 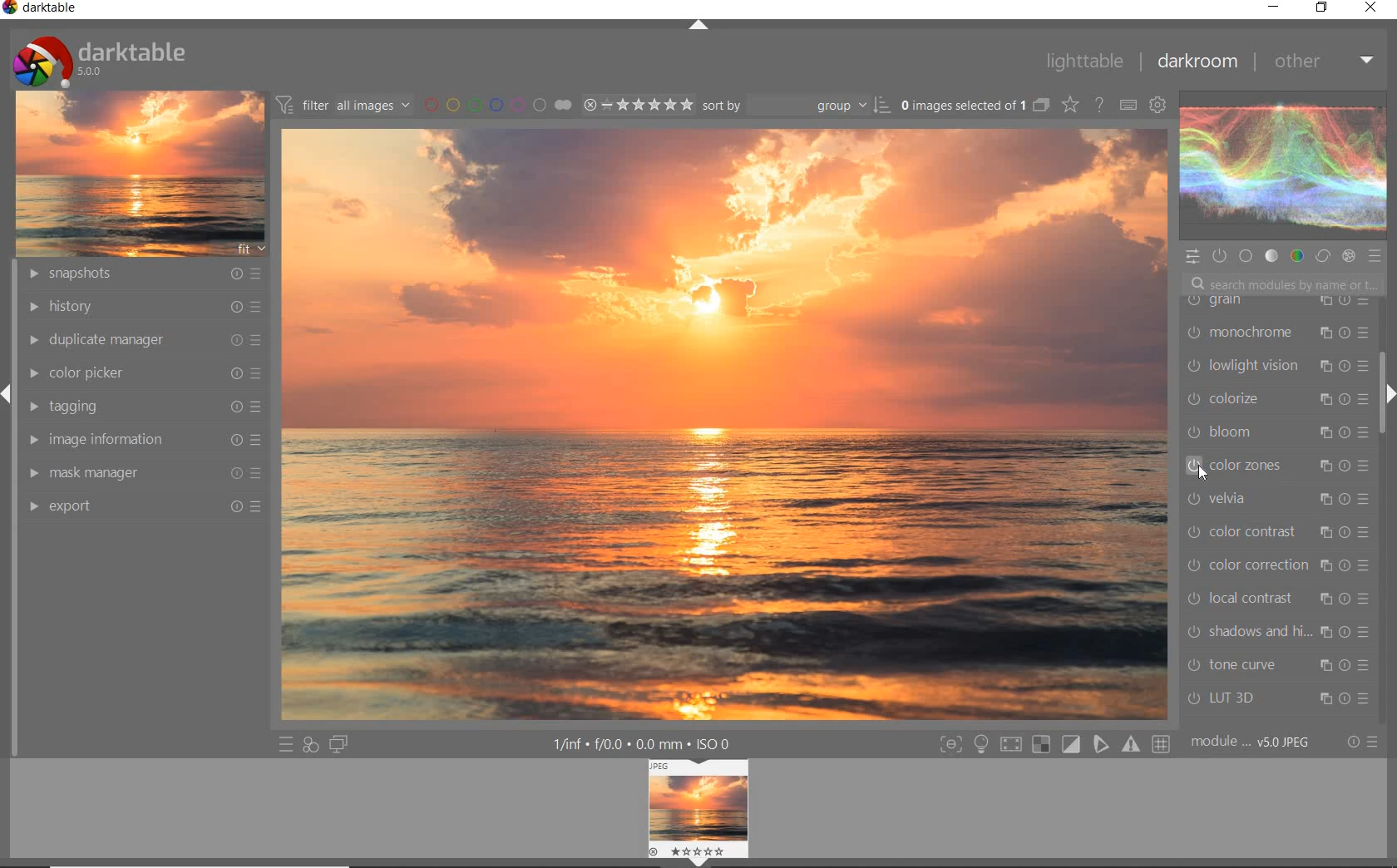 What do you see at coordinates (42, 9) in the screenshot?
I see `darktable` at bounding box center [42, 9].